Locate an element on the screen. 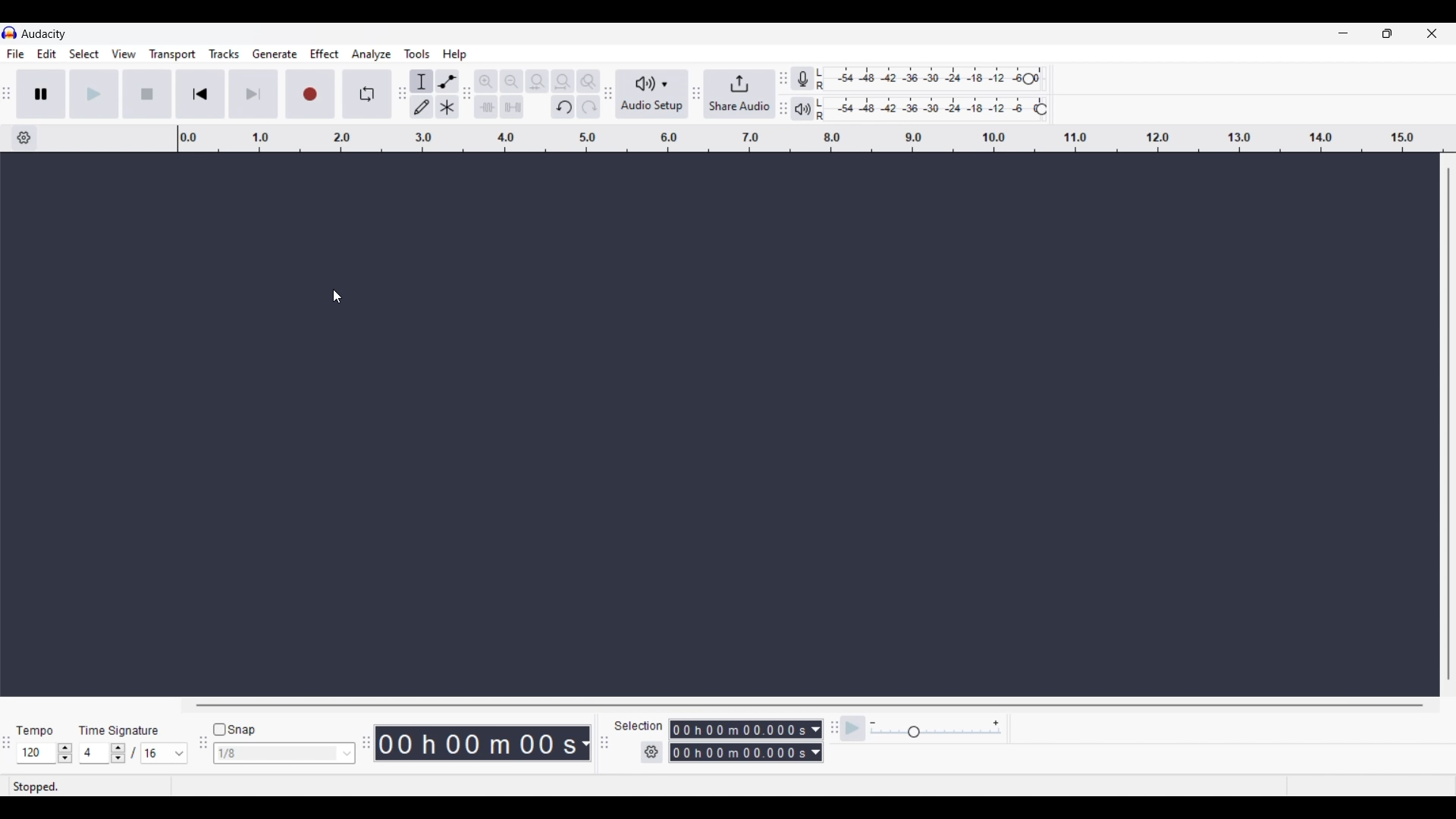 This screenshot has height=819, width=1456. Metrics to calculate recording is located at coordinates (585, 743).